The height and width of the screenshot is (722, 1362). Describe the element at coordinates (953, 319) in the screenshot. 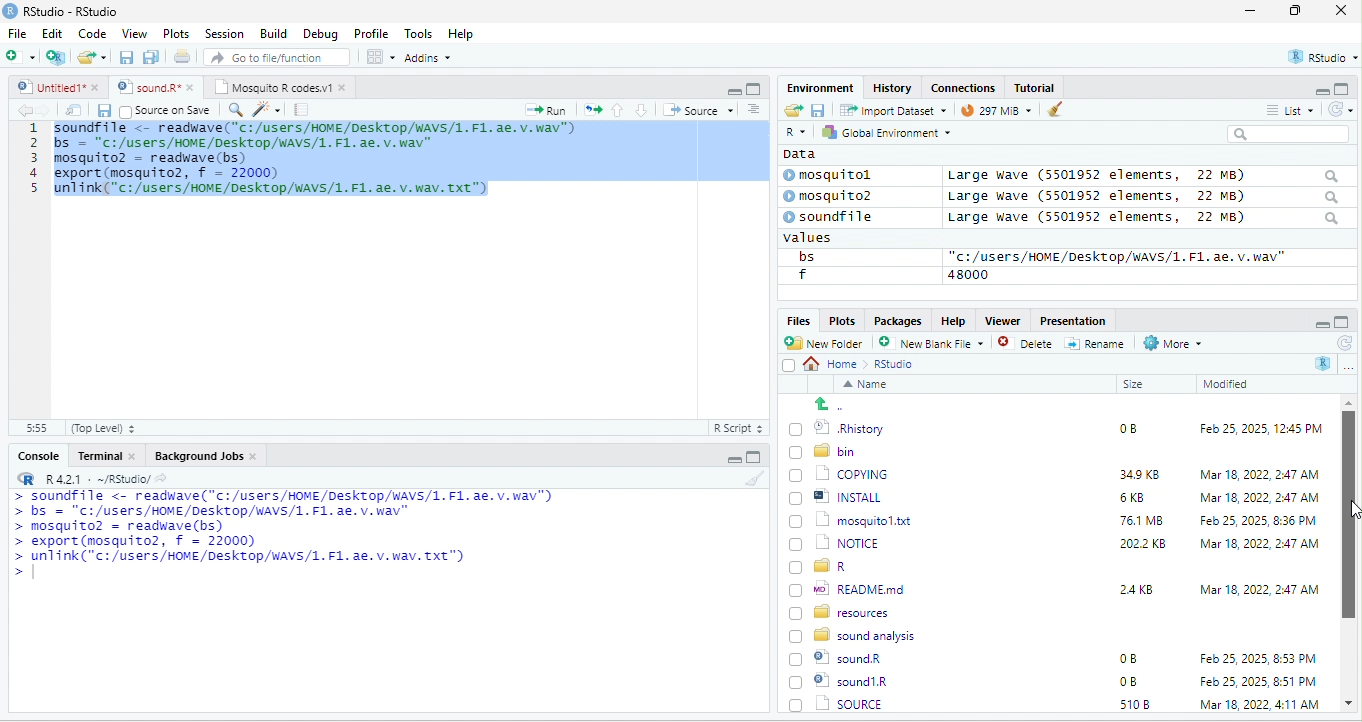

I see `Help` at that location.